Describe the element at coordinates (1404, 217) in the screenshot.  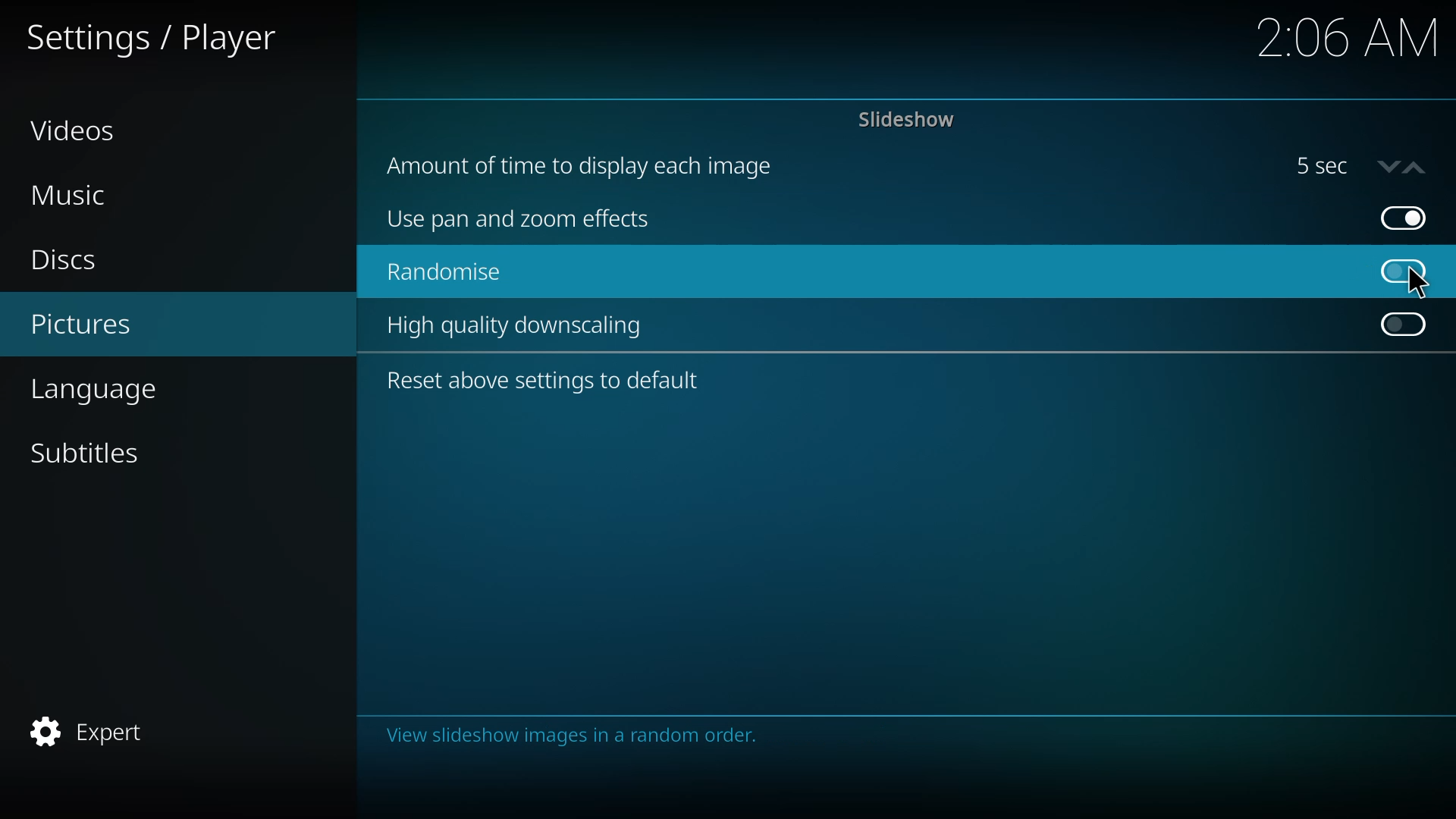
I see `enabled` at that location.